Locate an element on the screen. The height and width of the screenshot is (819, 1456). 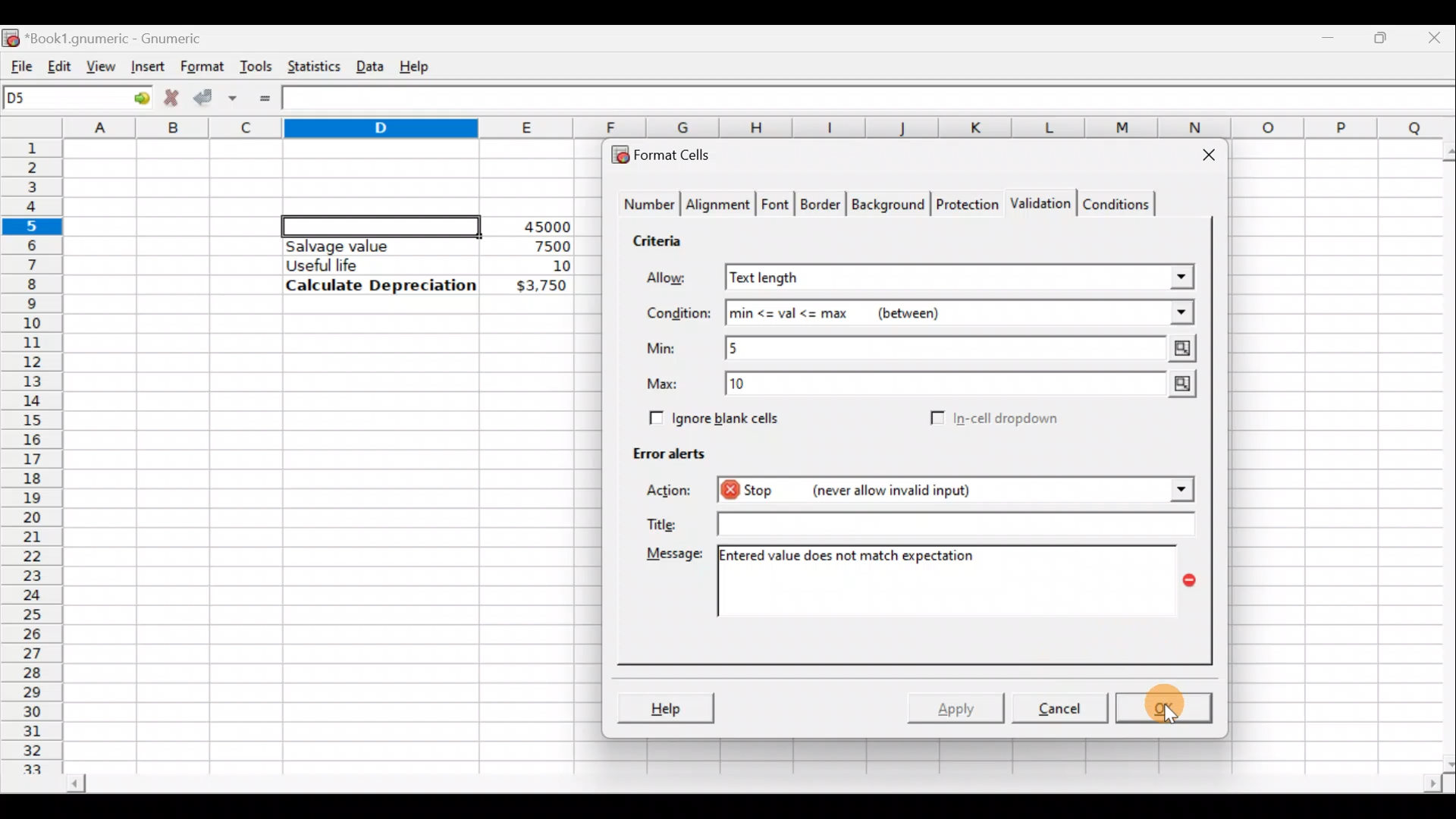
Min is located at coordinates (664, 348).